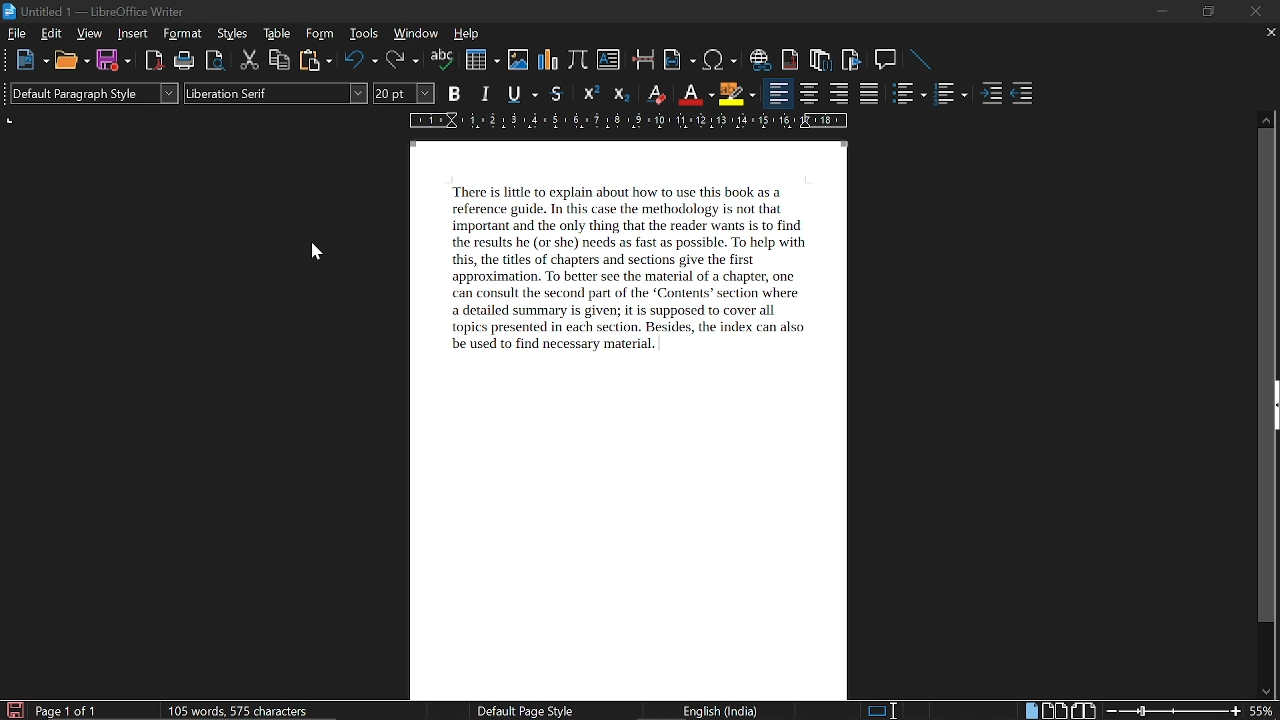 The height and width of the screenshot is (720, 1280). What do you see at coordinates (654, 93) in the screenshot?
I see `eraser` at bounding box center [654, 93].